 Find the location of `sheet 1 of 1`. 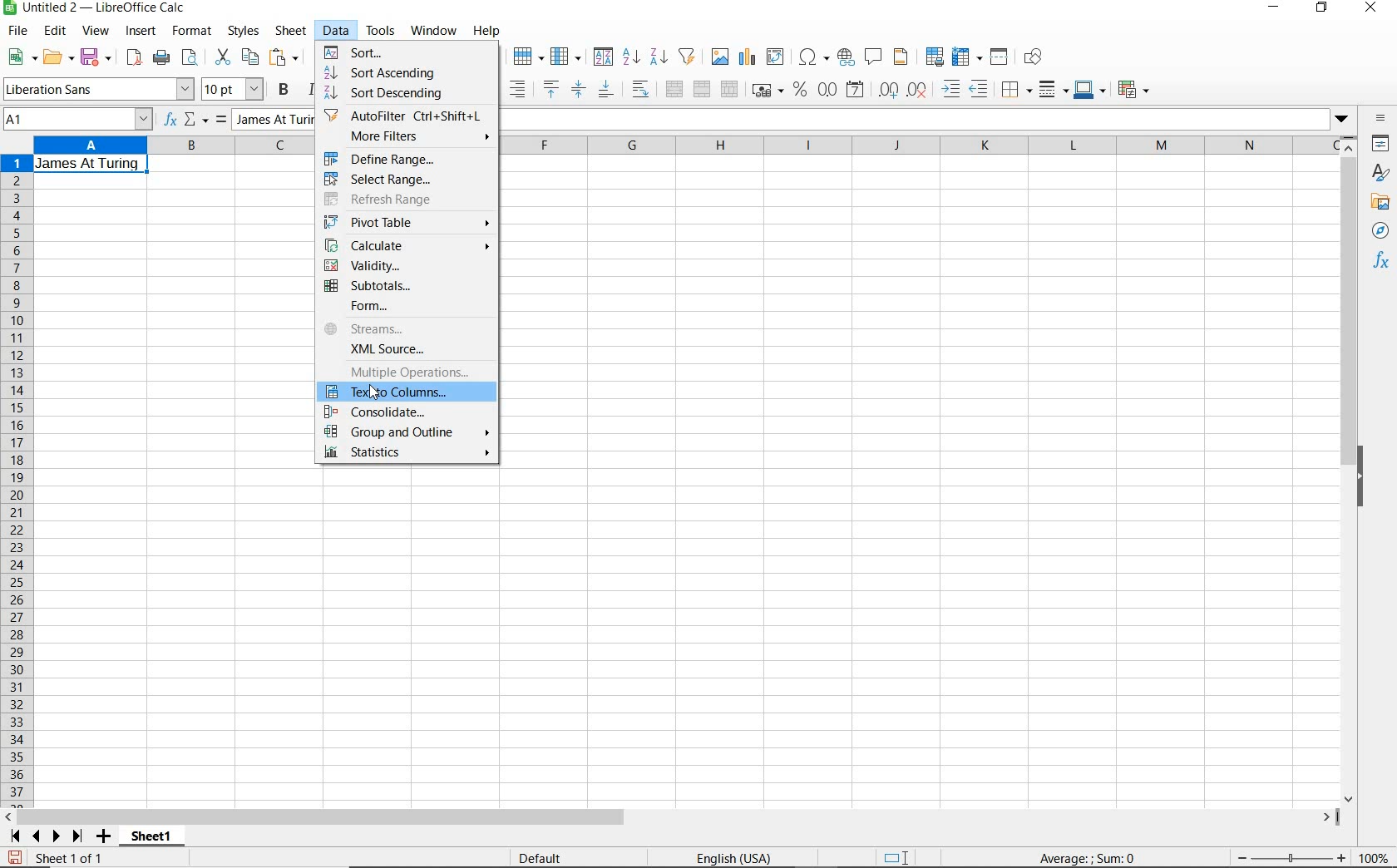

sheet 1 of 1 is located at coordinates (68, 857).